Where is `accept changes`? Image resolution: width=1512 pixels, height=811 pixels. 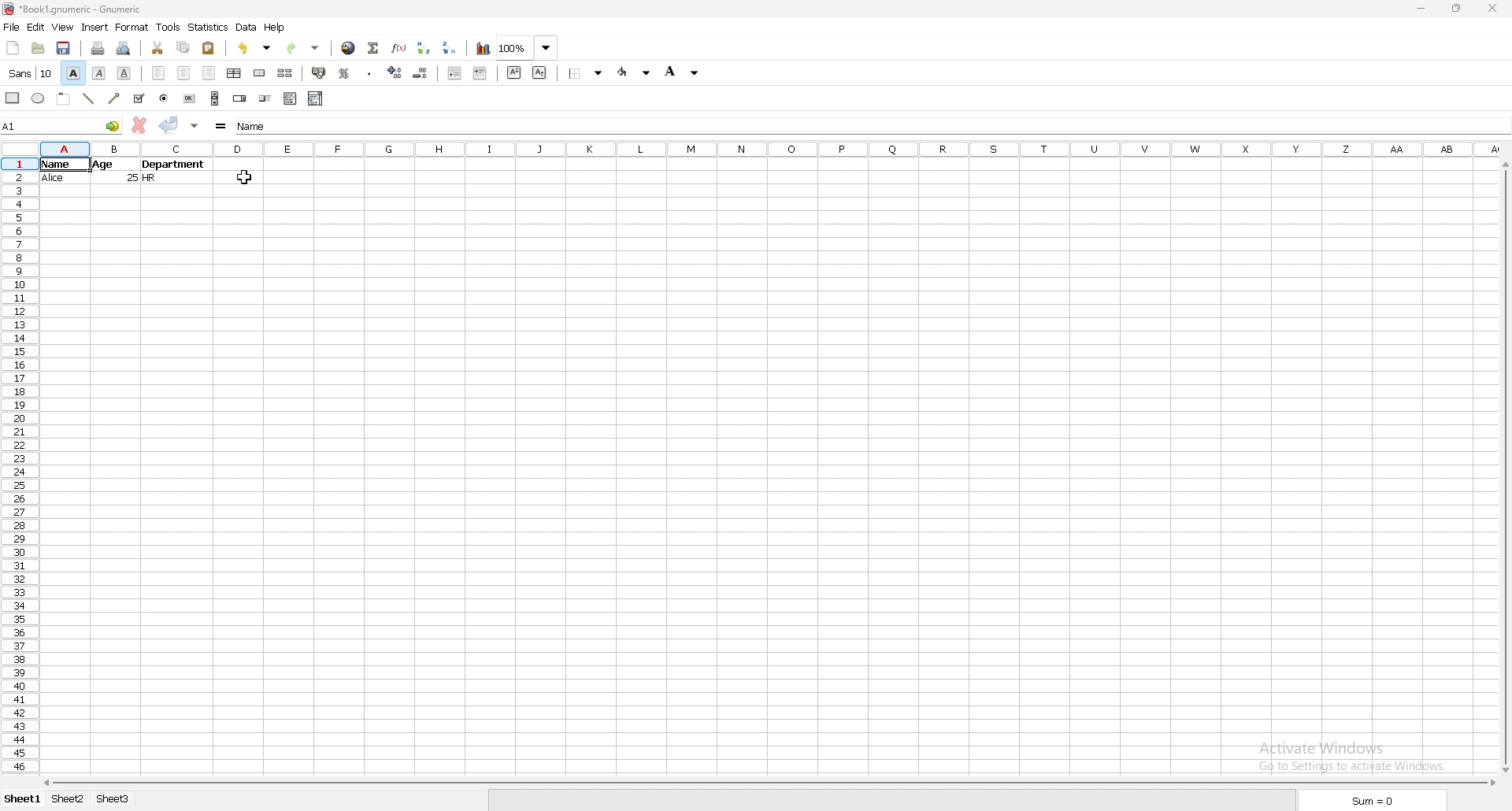
accept changes is located at coordinates (169, 124).